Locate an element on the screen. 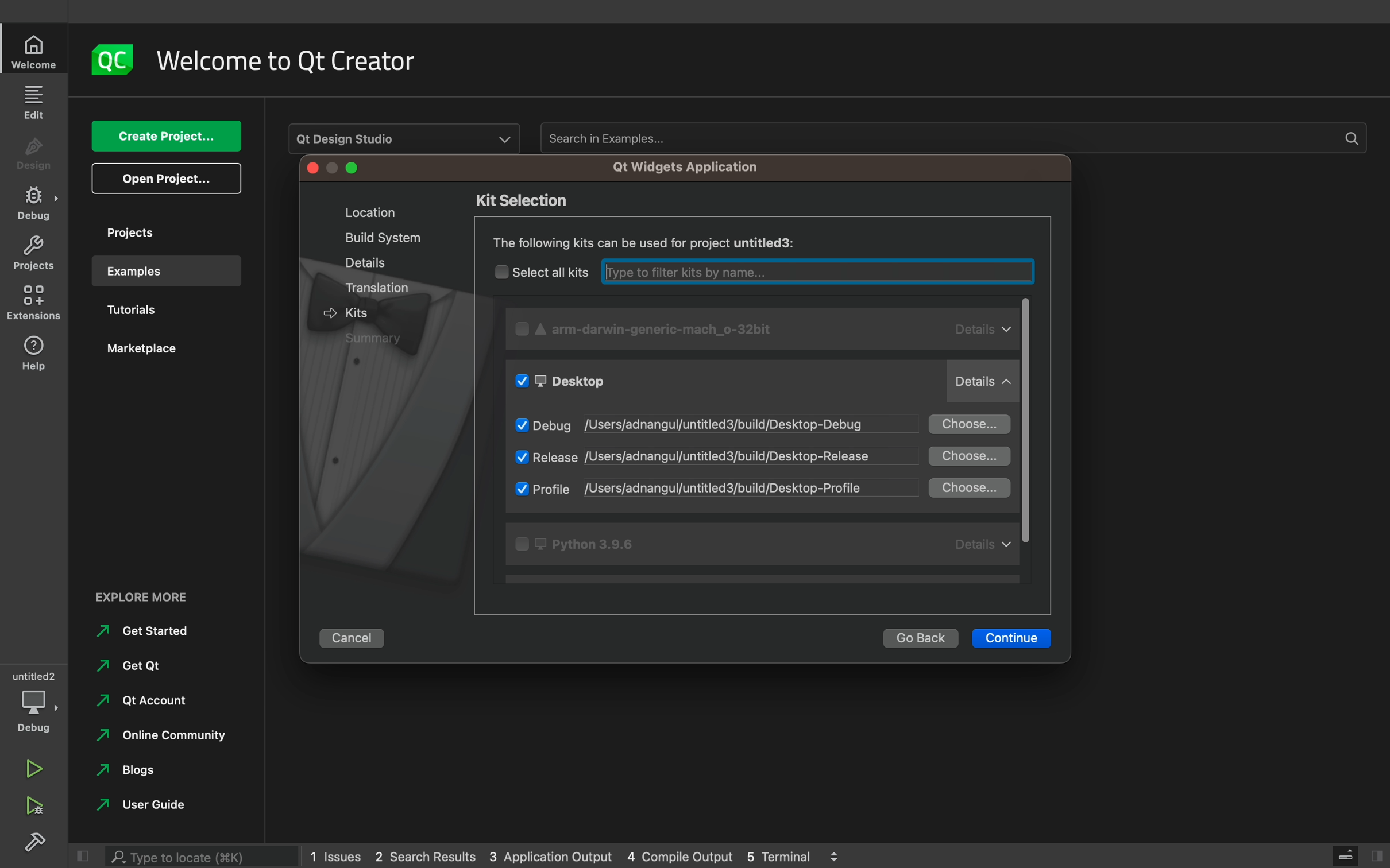 The width and height of the screenshot is (1390, 868). 1 issues is located at coordinates (335, 854).